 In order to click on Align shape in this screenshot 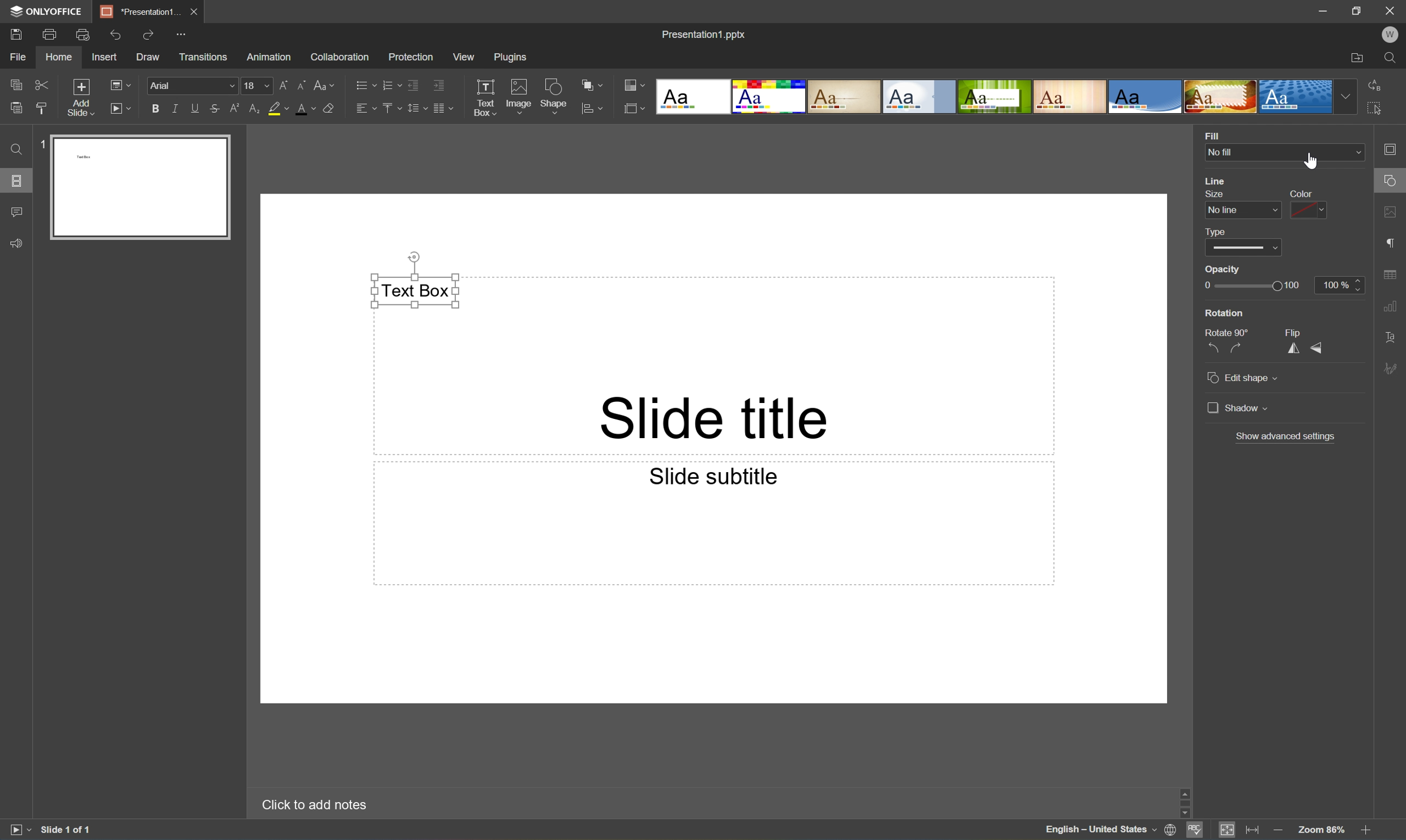, I will do `click(594, 108)`.